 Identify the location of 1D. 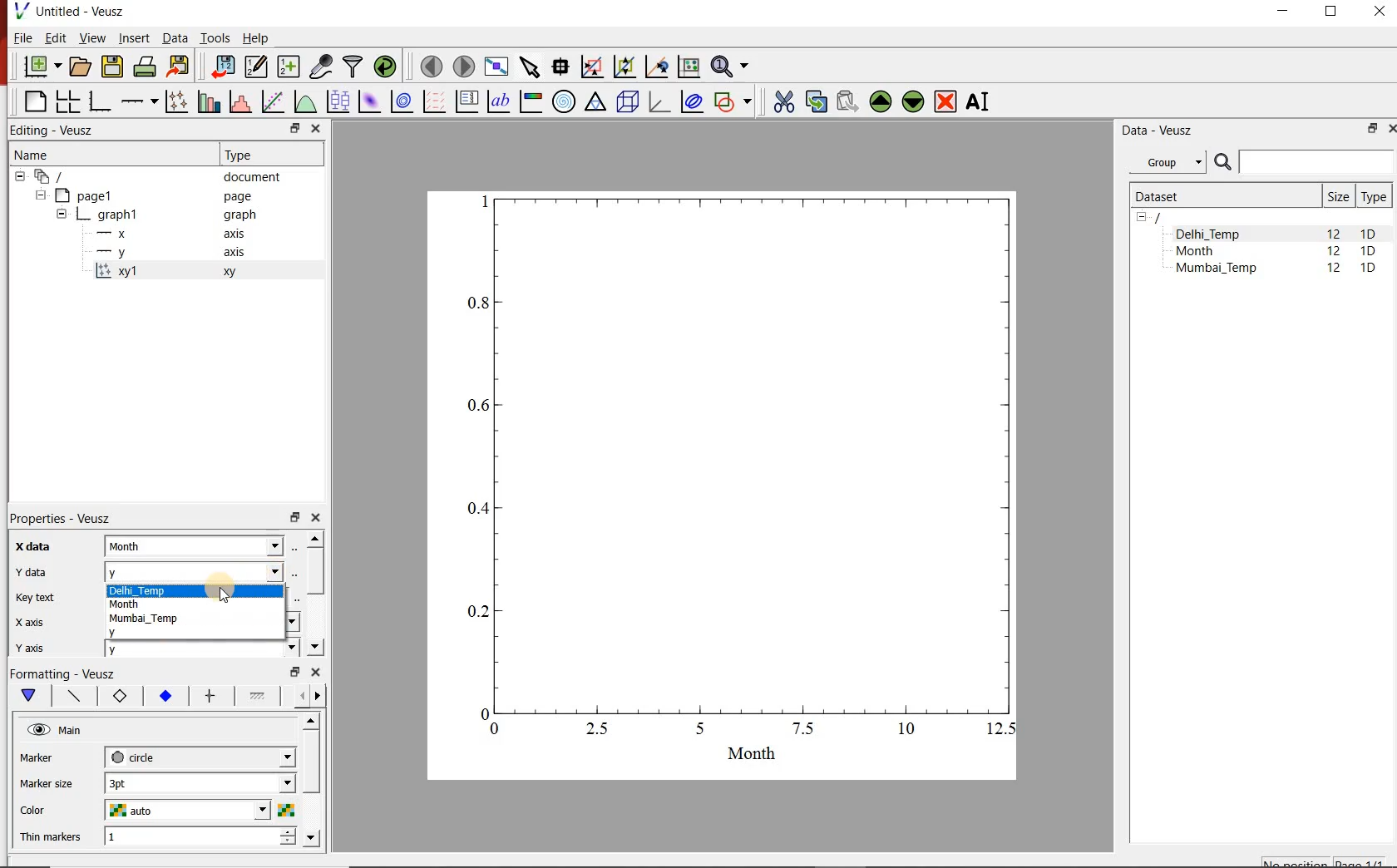
(1369, 234).